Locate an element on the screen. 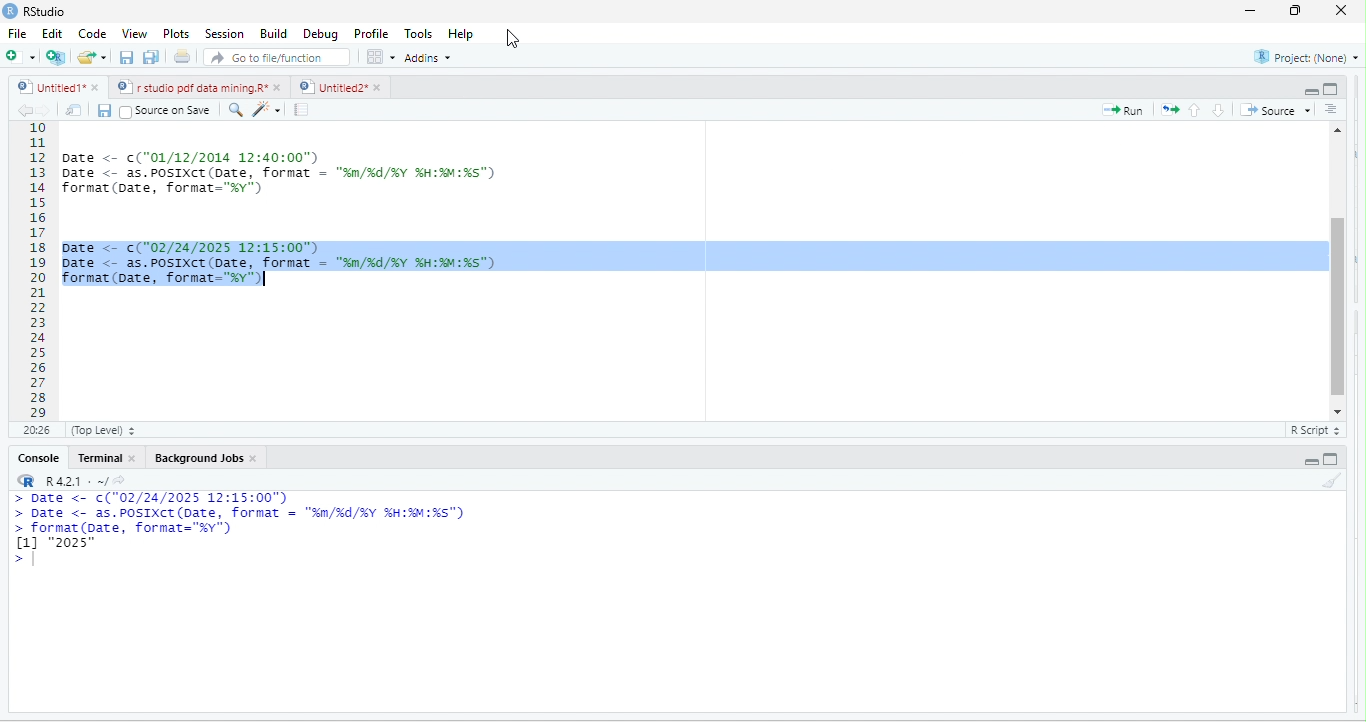 This screenshot has height=722, width=1366. hide r script is located at coordinates (1310, 461).